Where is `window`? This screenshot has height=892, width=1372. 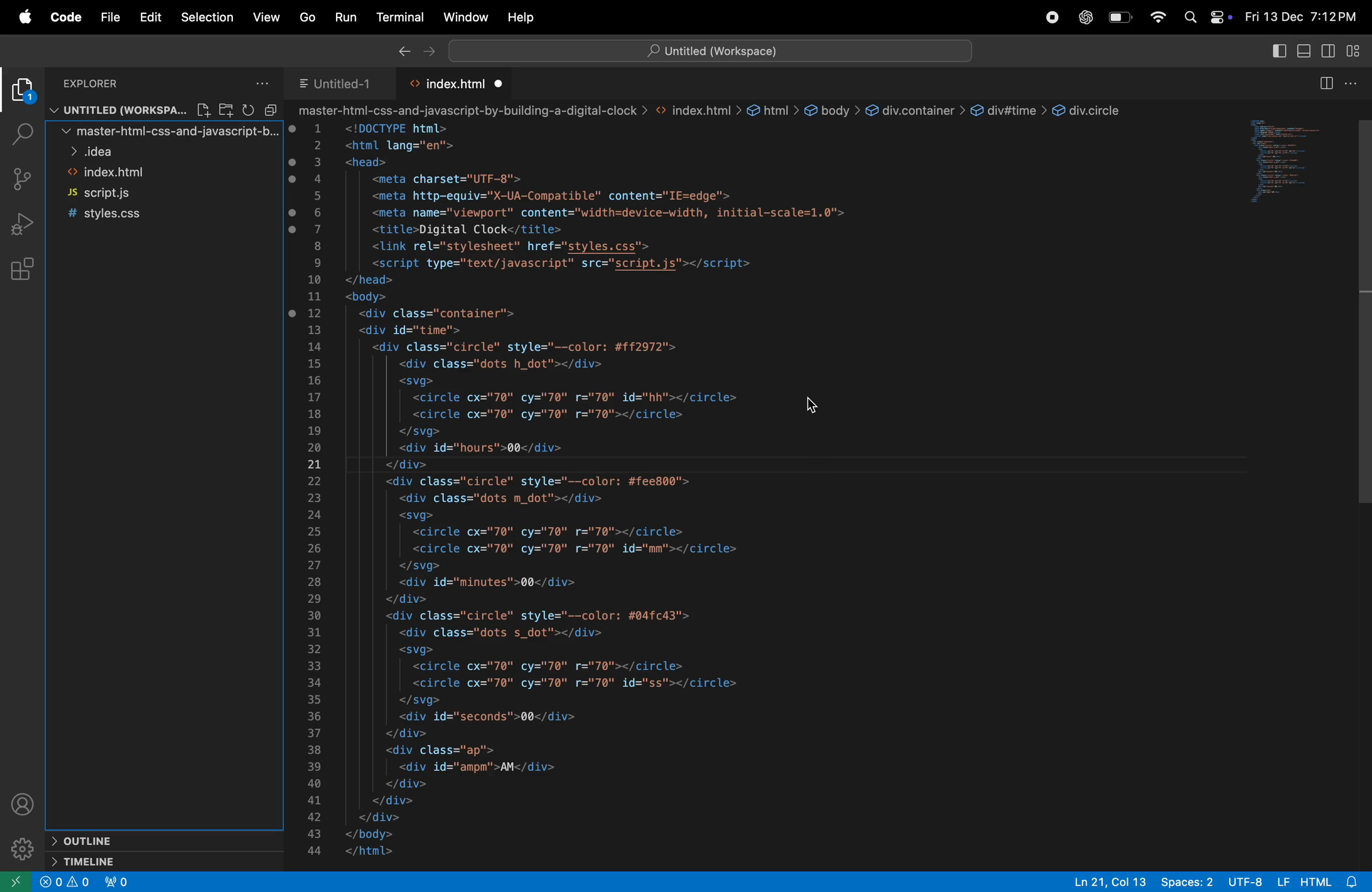
window is located at coordinates (1288, 164).